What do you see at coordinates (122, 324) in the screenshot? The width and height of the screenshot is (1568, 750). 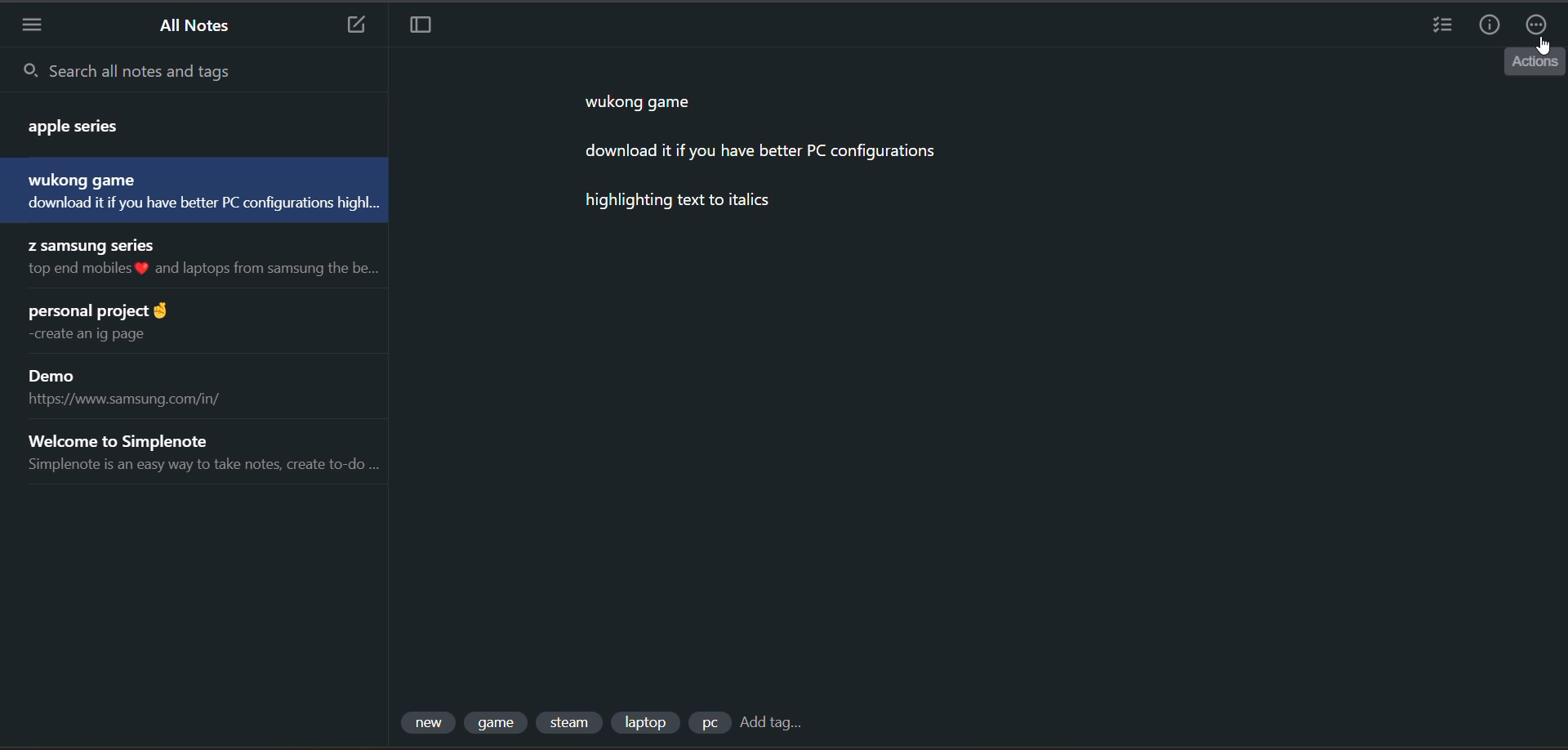 I see `note title and preview` at bounding box center [122, 324].